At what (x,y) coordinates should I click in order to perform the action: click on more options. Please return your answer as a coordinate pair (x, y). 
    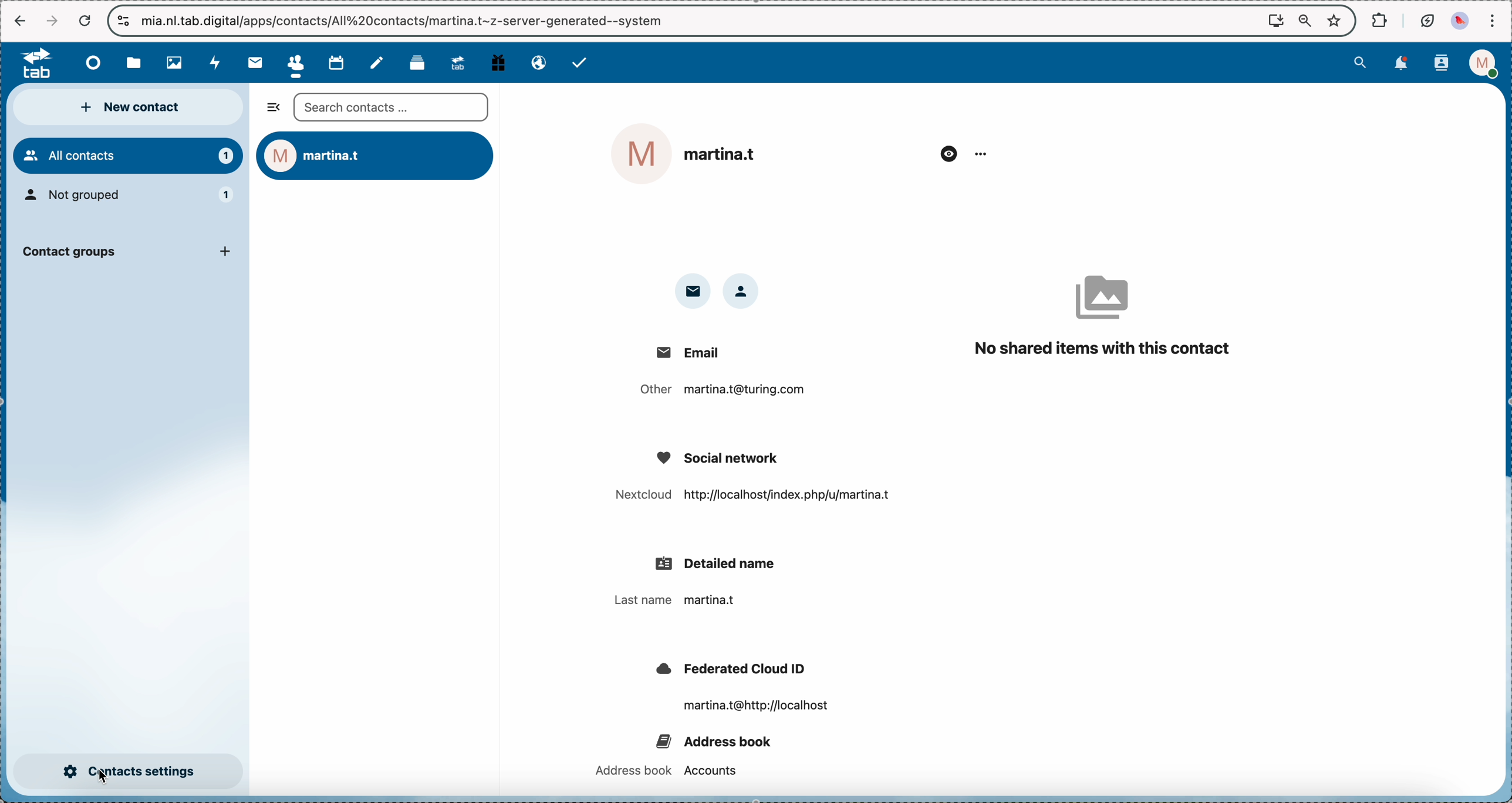
    Looking at the image, I should click on (980, 153).